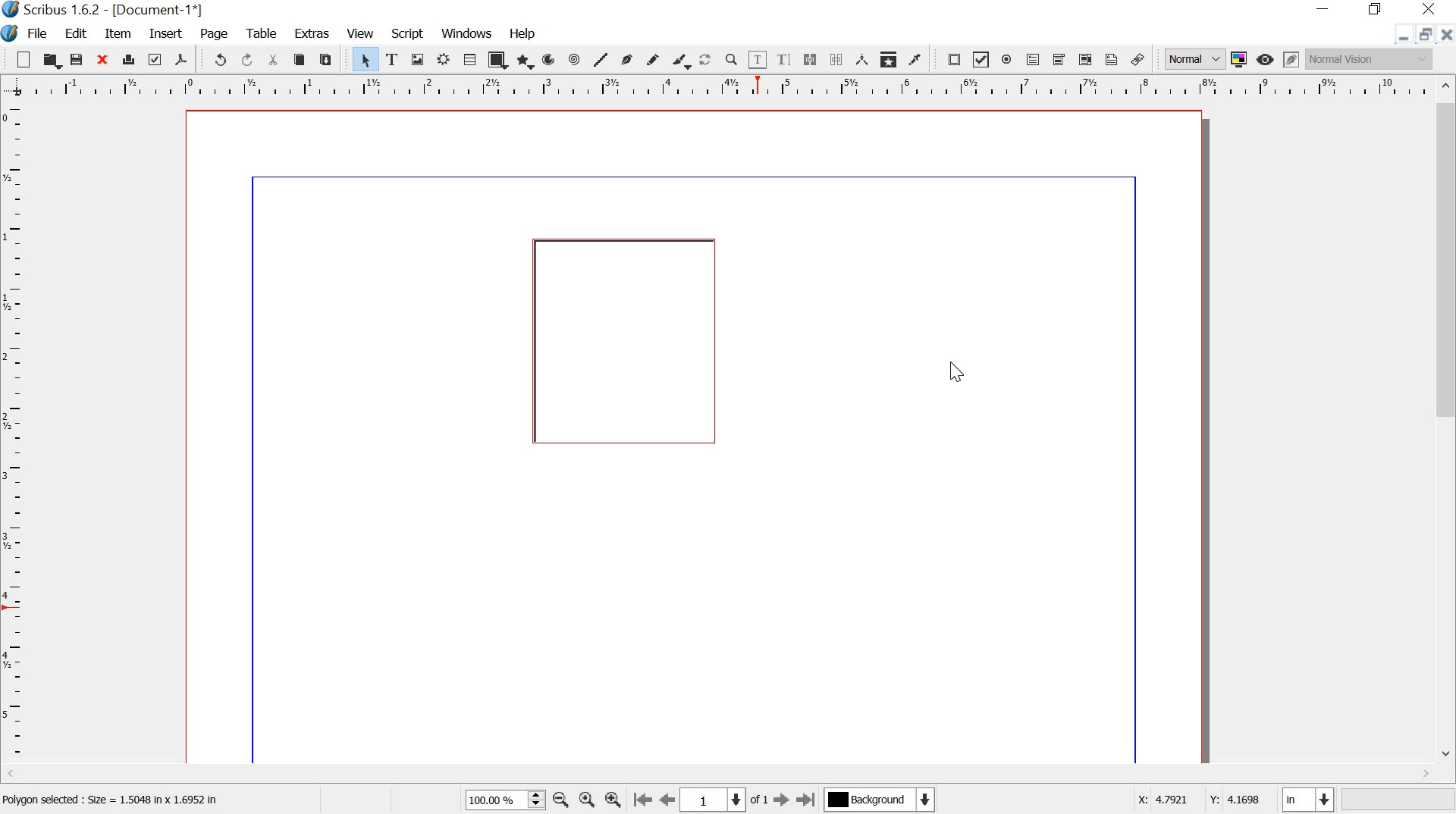  What do you see at coordinates (642, 800) in the screenshot?
I see `go to first page` at bounding box center [642, 800].